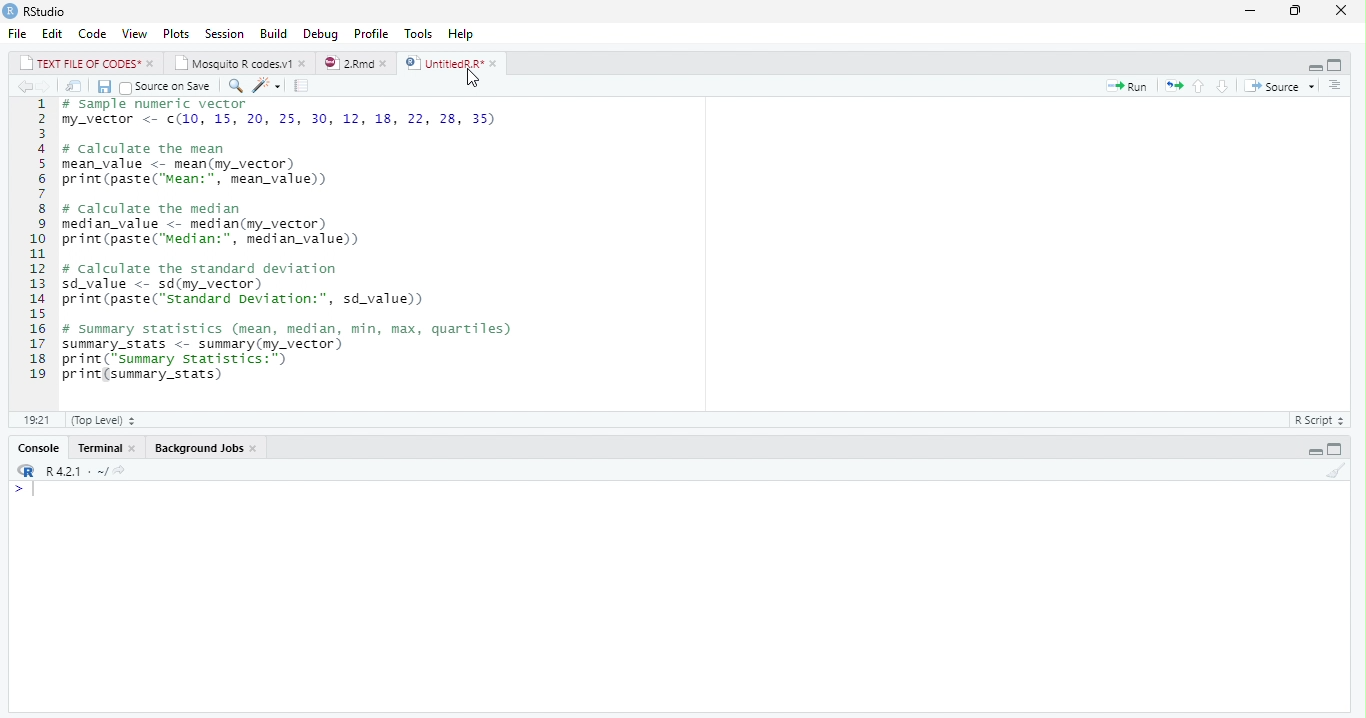 The height and width of the screenshot is (718, 1366). Describe the element at coordinates (168, 87) in the screenshot. I see `source on save` at that location.